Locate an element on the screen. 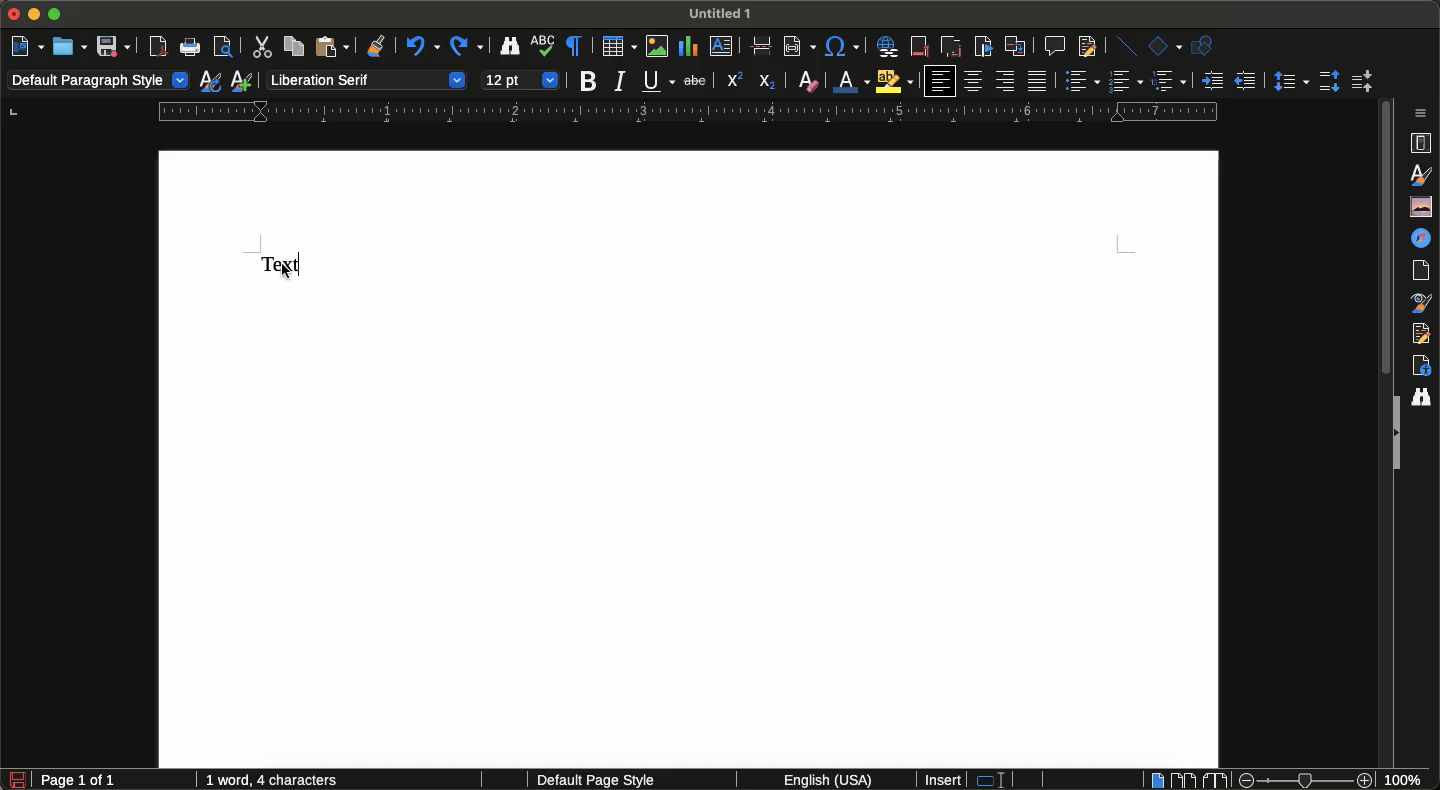 This screenshot has height=790, width=1440. Decrease paragraph spacing is located at coordinates (1360, 83).